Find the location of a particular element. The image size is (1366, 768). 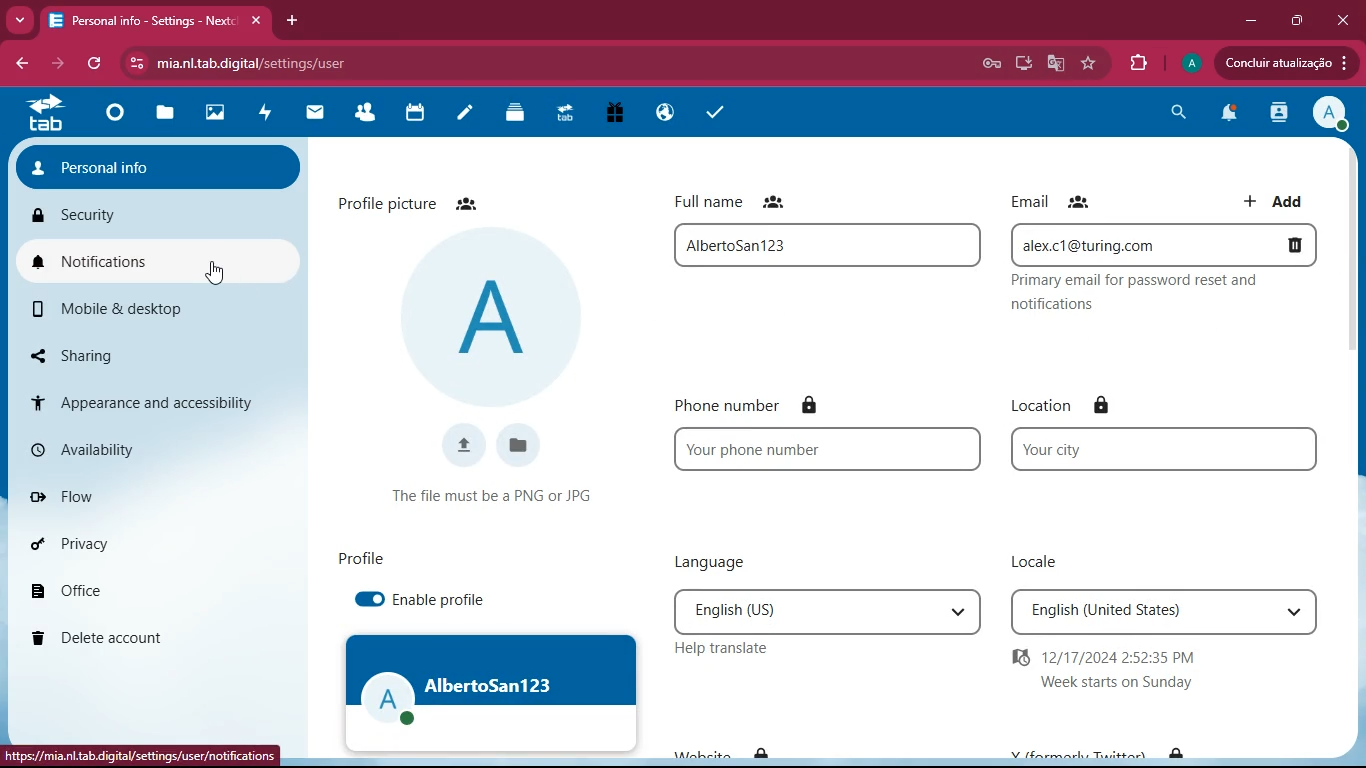

calendar is located at coordinates (415, 112).